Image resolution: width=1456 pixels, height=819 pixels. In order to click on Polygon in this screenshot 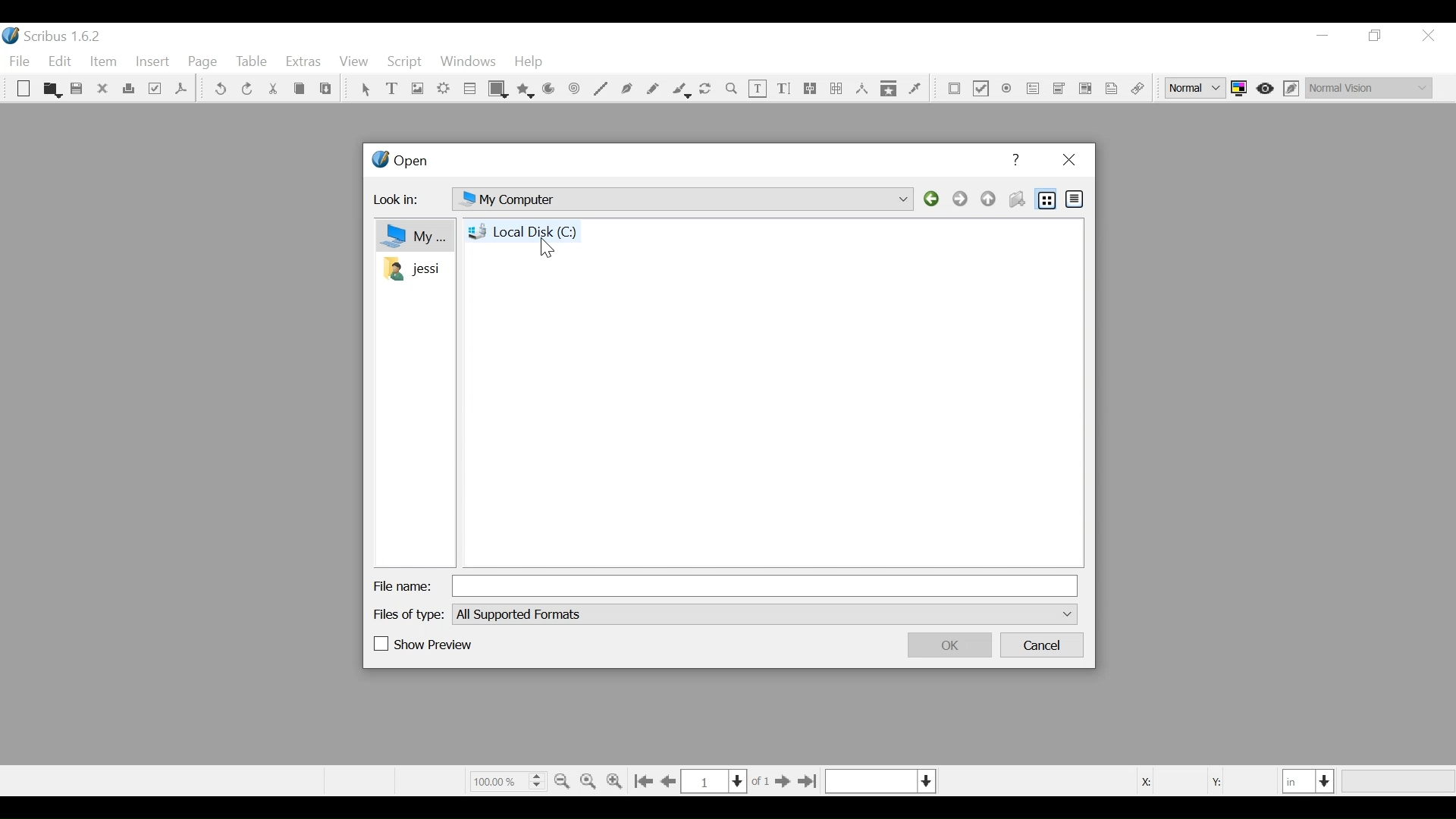, I will do `click(526, 89)`.